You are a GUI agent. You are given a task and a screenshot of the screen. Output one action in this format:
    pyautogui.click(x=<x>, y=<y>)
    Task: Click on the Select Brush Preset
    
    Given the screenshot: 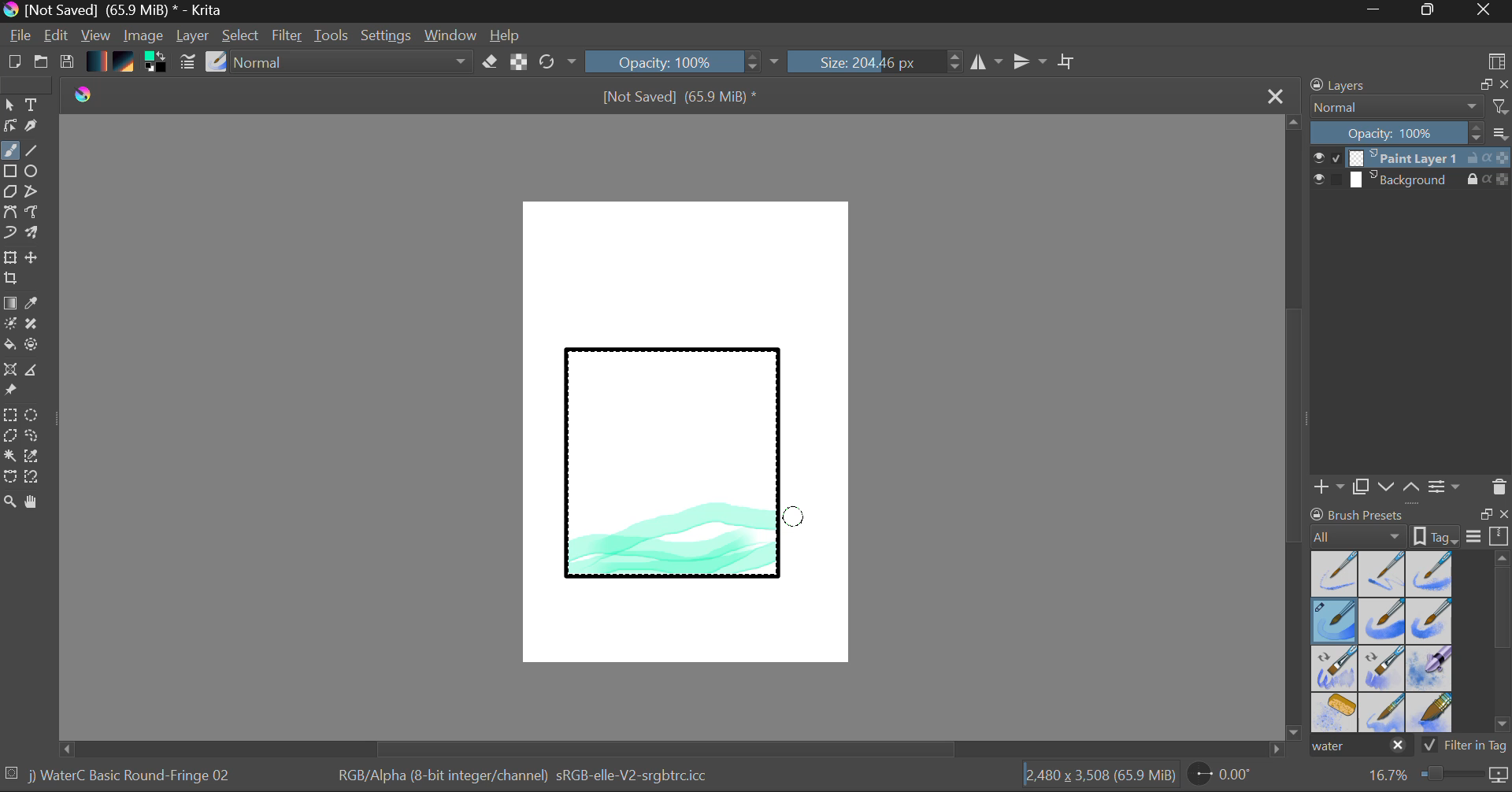 What is the action you would take?
    pyautogui.click(x=217, y=62)
    